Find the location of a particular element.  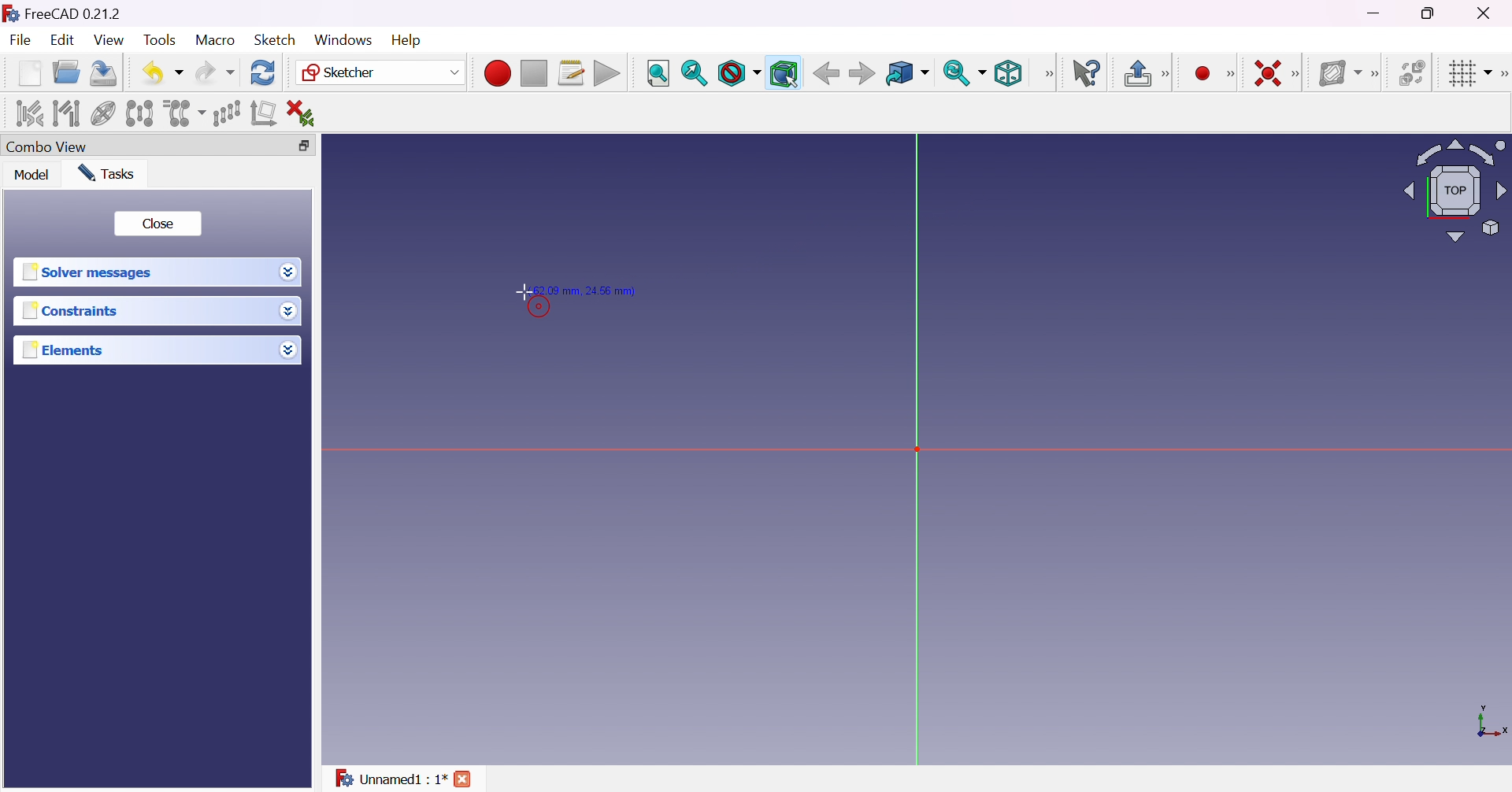

Redo is located at coordinates (215, 72).